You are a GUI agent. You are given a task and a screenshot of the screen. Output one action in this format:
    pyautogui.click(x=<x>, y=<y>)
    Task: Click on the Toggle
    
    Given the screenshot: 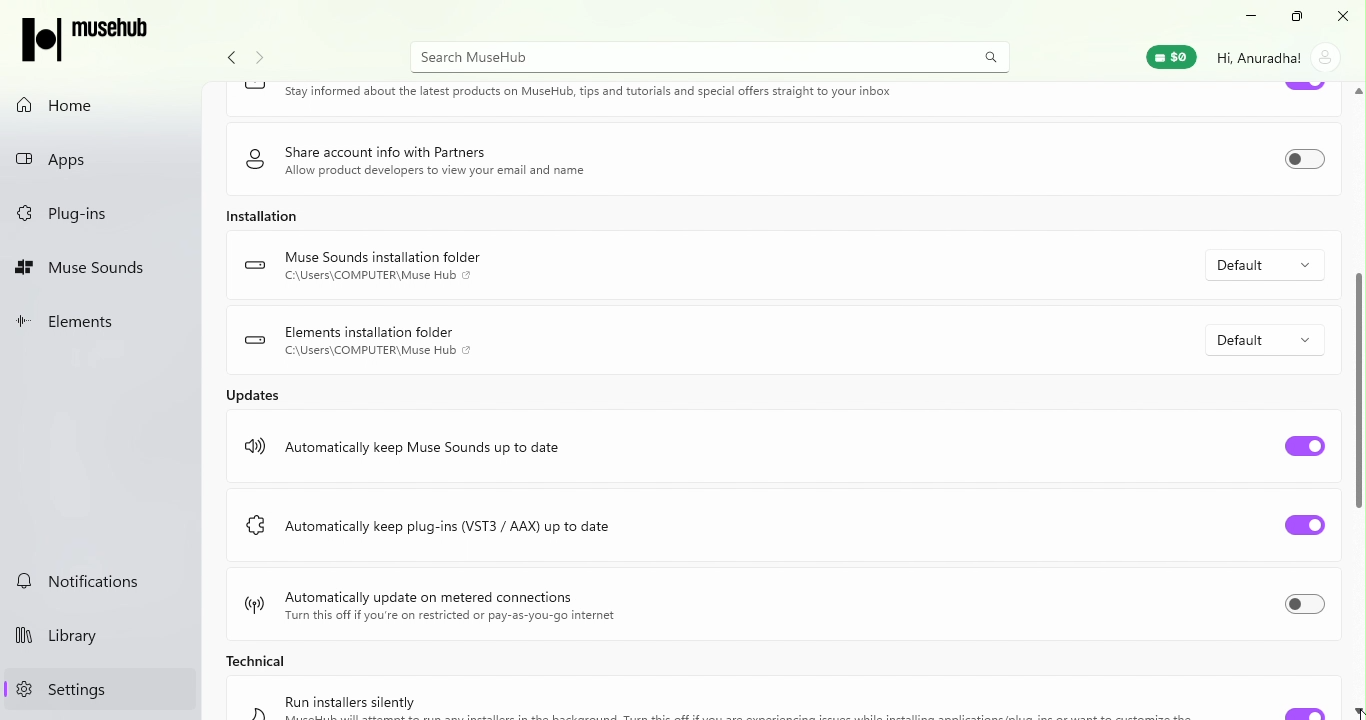 What is the action you would take?
    pyautogui.click(x=1305, y=524)
    